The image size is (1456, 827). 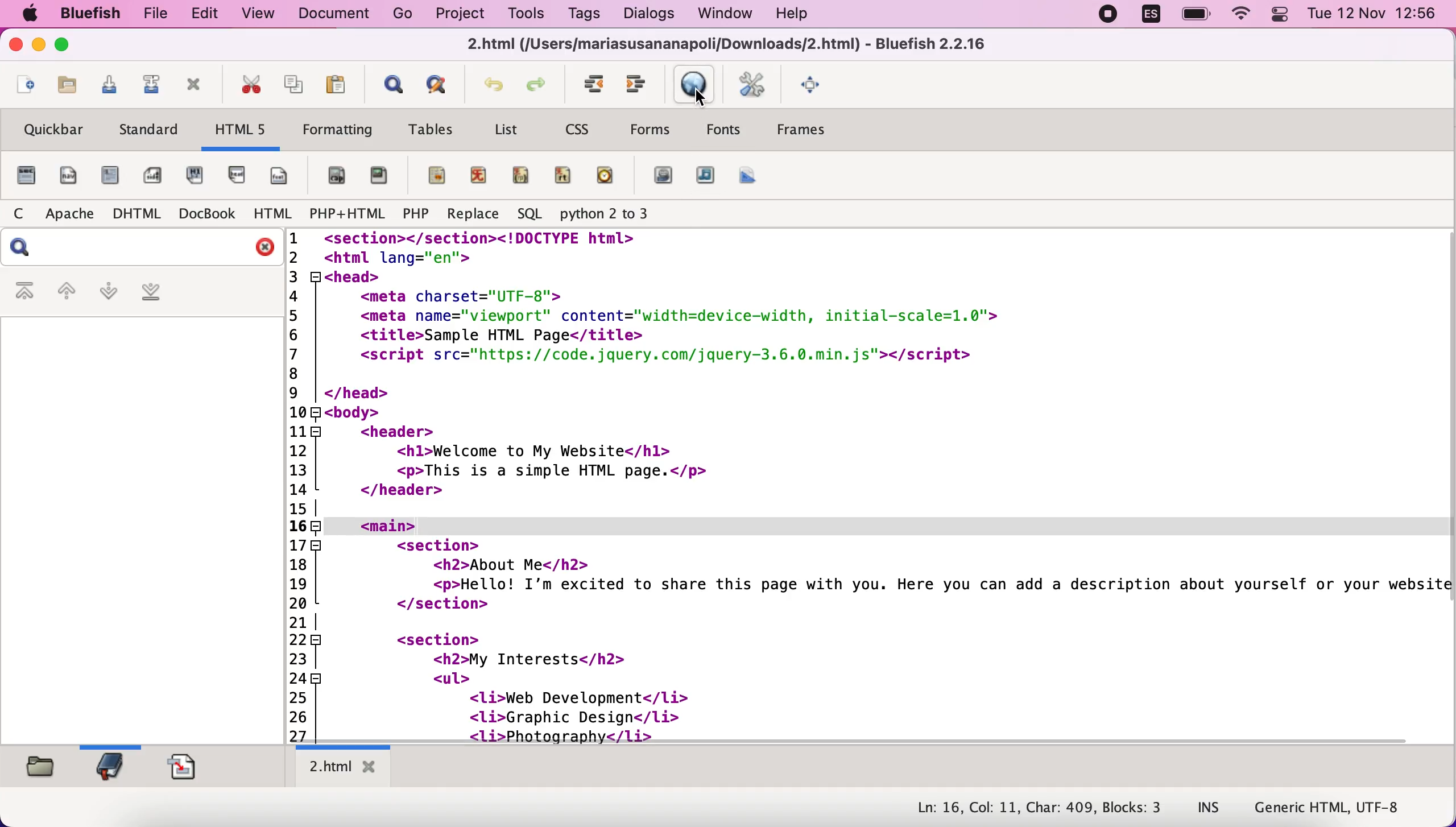 I want to click on quickbar, so click(x=53, y=133).